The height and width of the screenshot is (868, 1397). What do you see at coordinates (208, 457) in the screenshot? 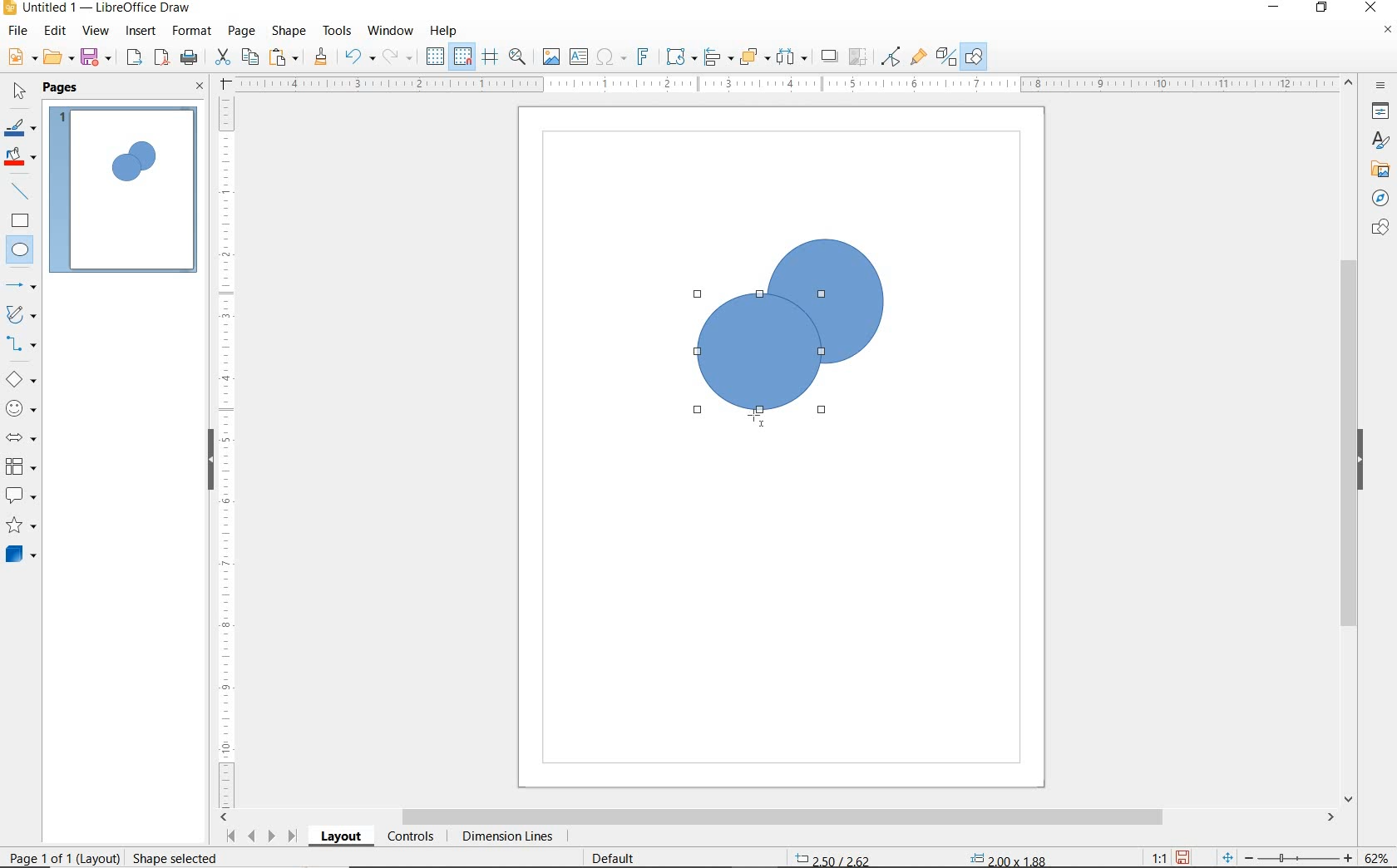
I see `HIDE` at bounding box center [208, 457].